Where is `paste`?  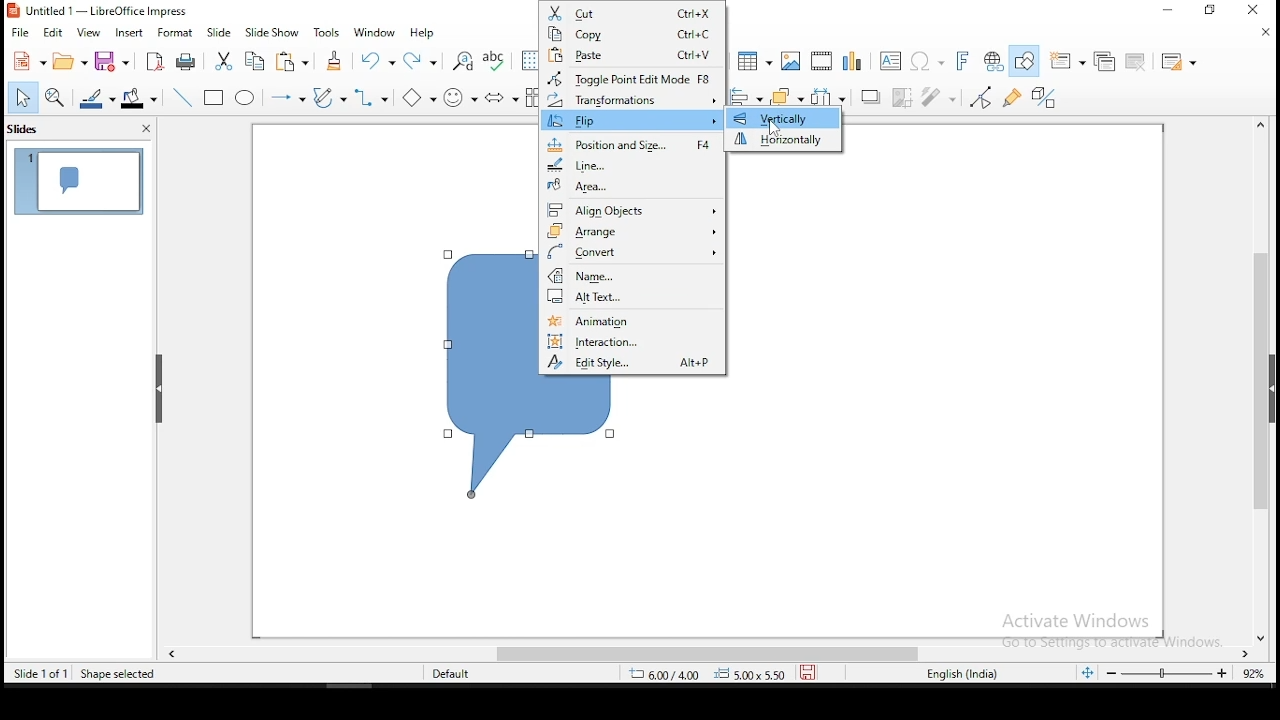 paste is located at coordinates (635, 57).